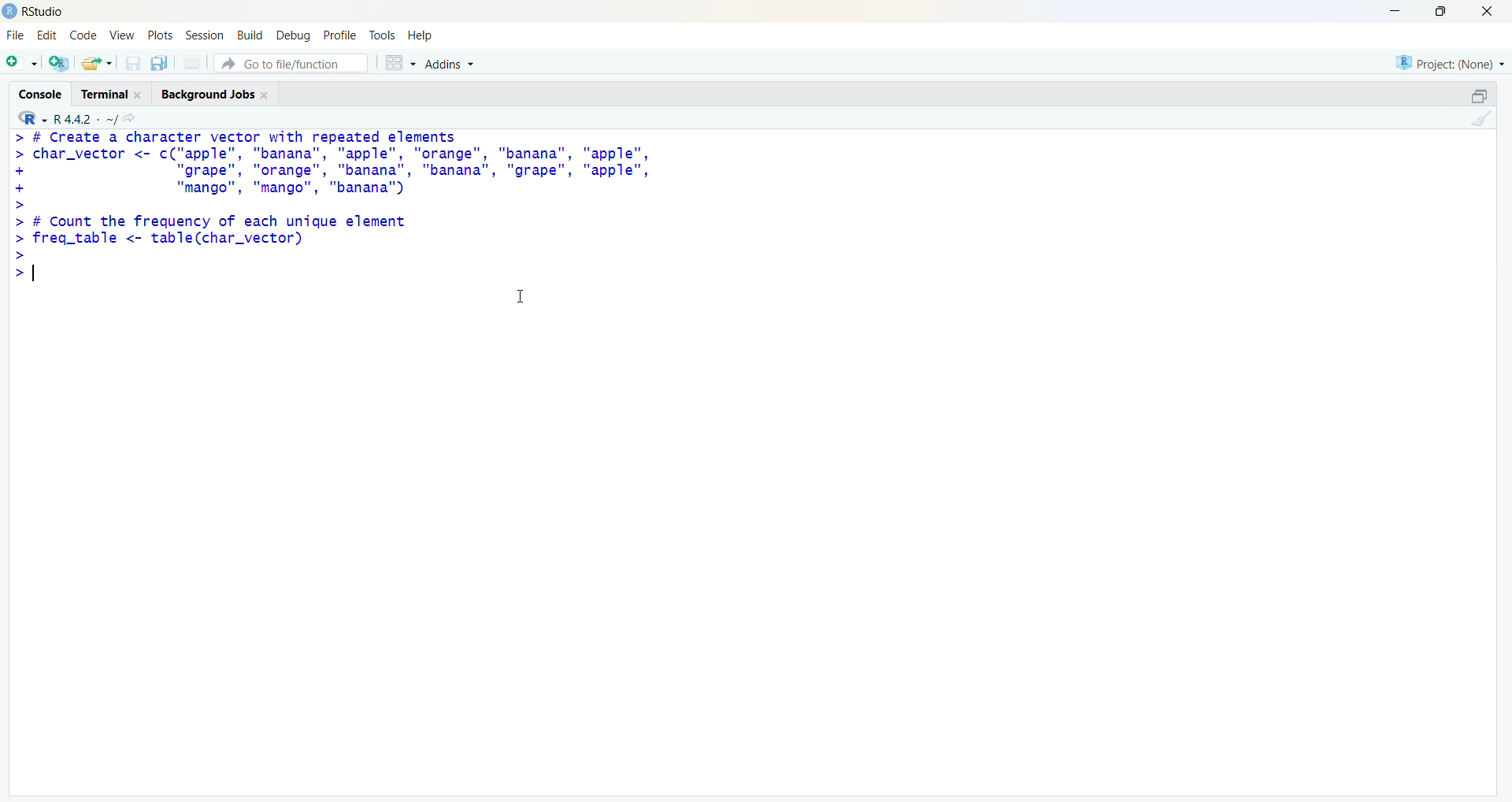 The height and width of the screenshot is (802, 1512). What do you see at coordinates (81, 117) in the screenshot?
I see `R 4.2.2~/` at bounding box center [81, 117].